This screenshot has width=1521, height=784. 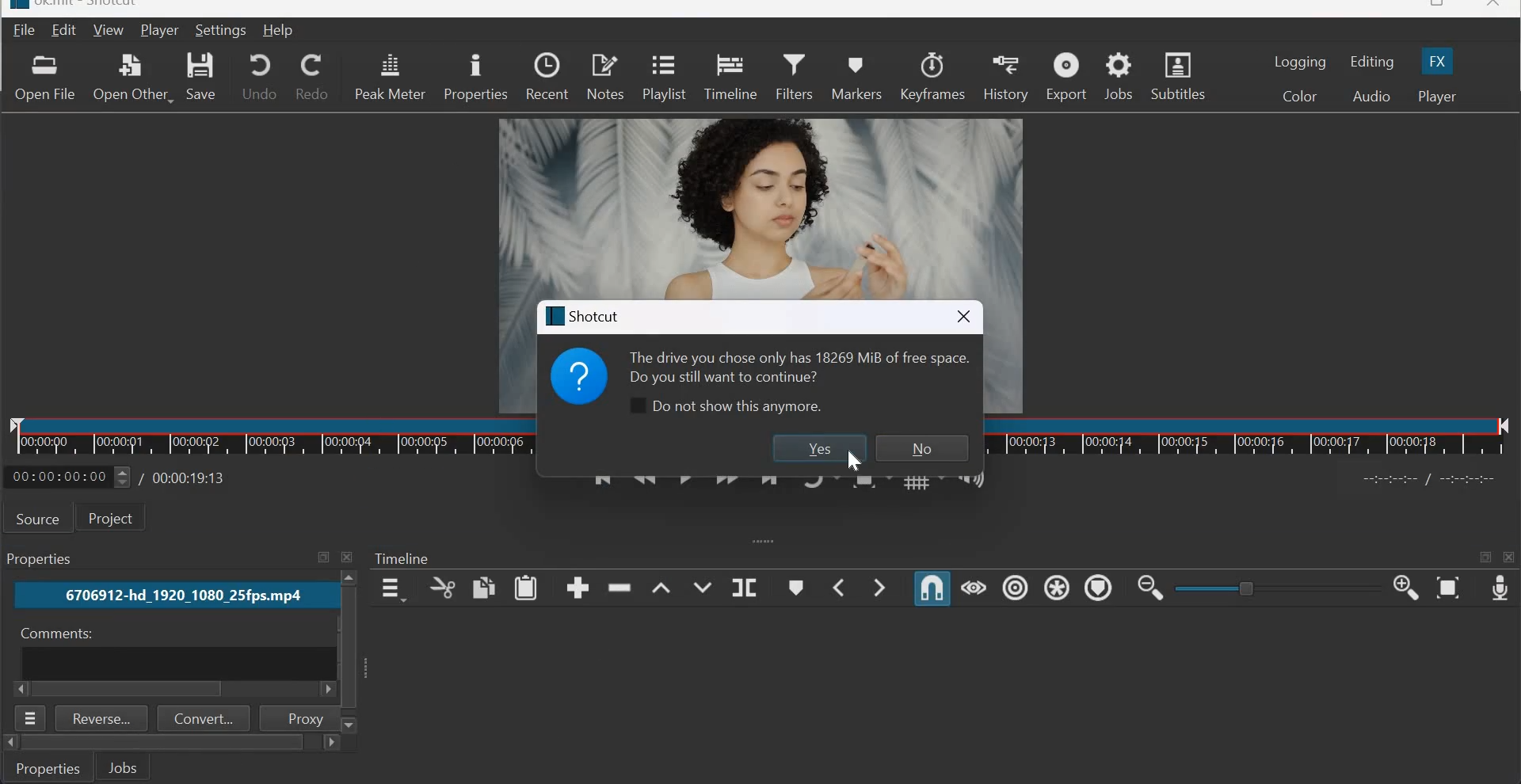 What do you see at coordinates (475, 78) in the screenshot?
I see `properties` at bounding box center [475, 78].